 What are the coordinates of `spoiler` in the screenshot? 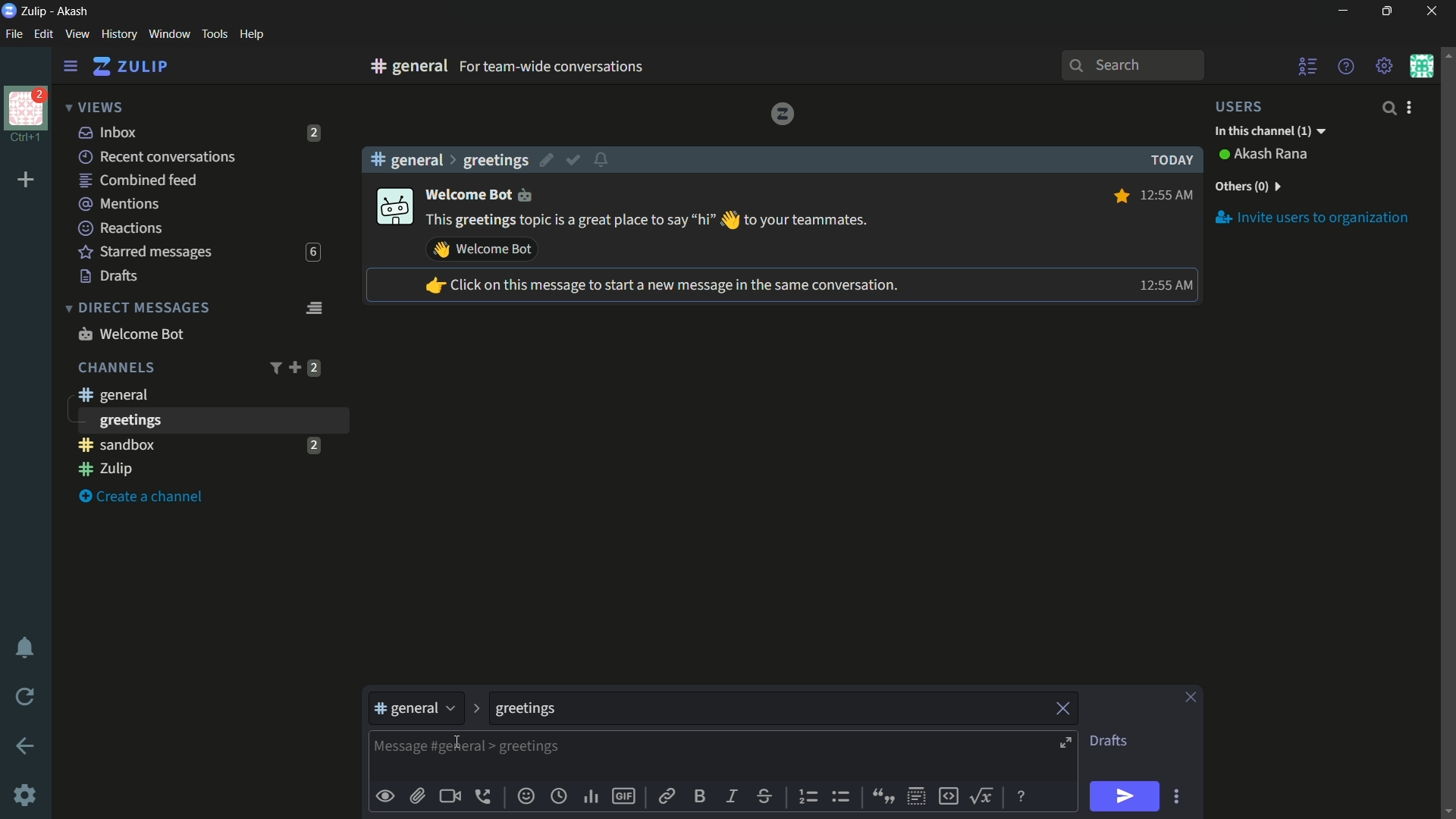 It's located at (916, 797).